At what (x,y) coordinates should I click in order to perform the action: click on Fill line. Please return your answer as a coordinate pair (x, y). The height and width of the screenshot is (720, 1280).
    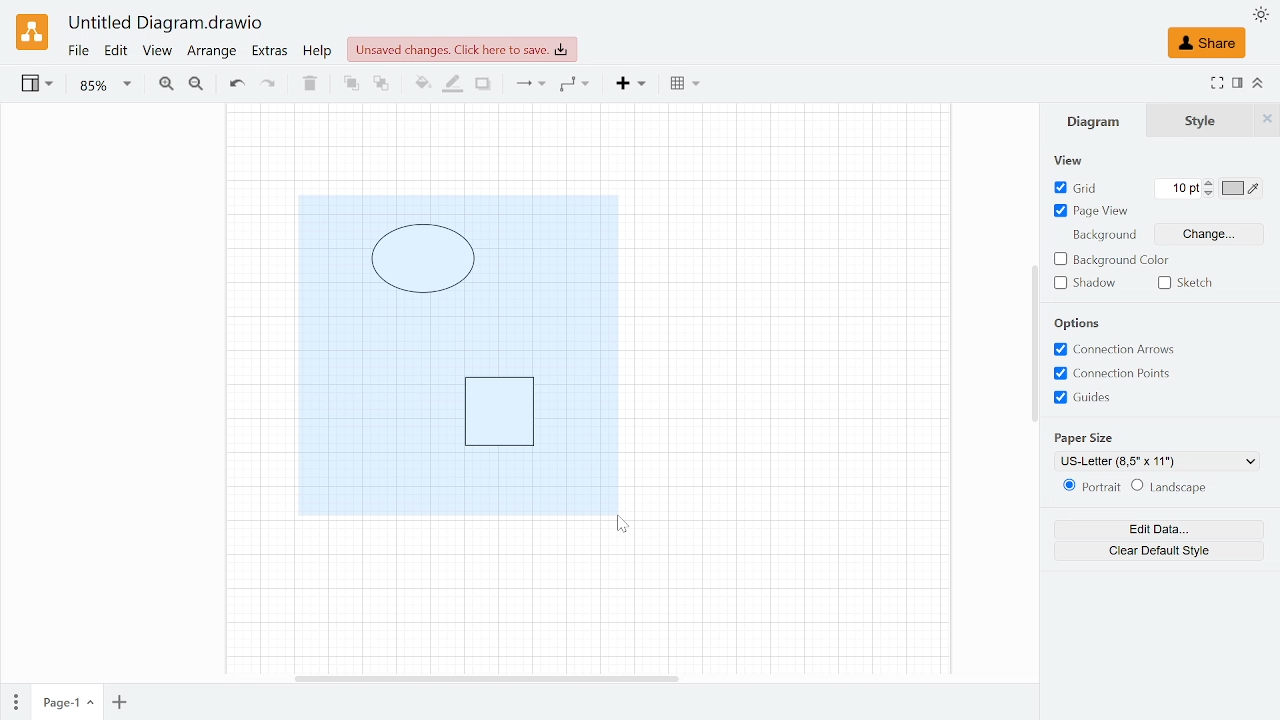
    Looking at the image, I should click on (450, 85).